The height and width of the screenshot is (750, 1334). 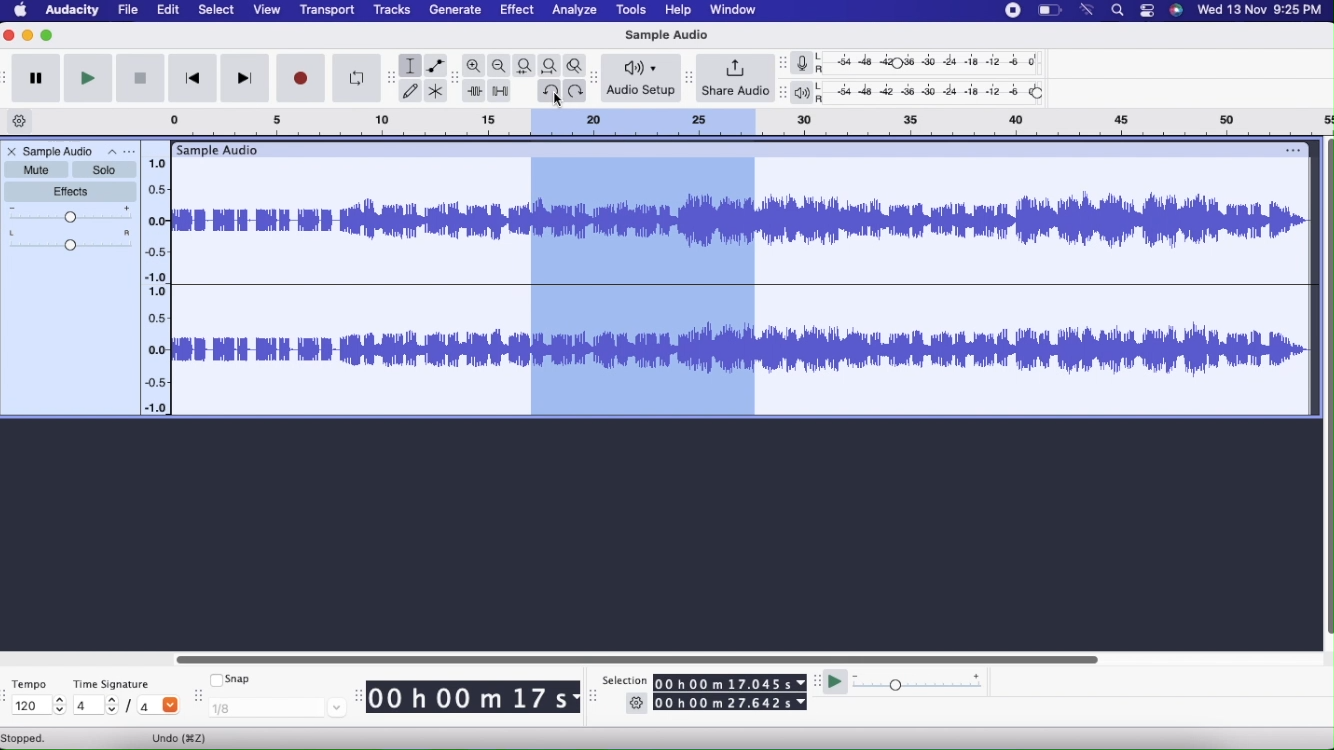 I want to click on Fit selection to width, so click(x=523, y=67).